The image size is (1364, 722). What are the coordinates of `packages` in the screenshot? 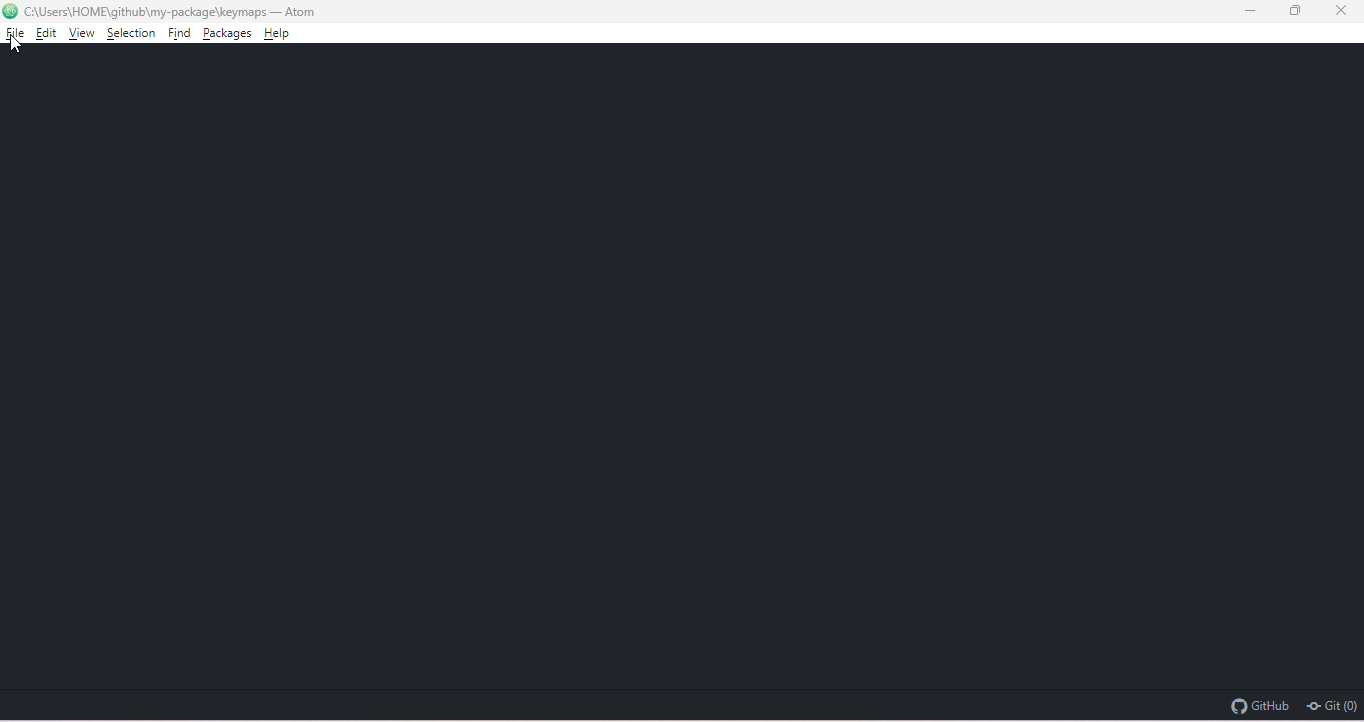 It's located at (229, 34).